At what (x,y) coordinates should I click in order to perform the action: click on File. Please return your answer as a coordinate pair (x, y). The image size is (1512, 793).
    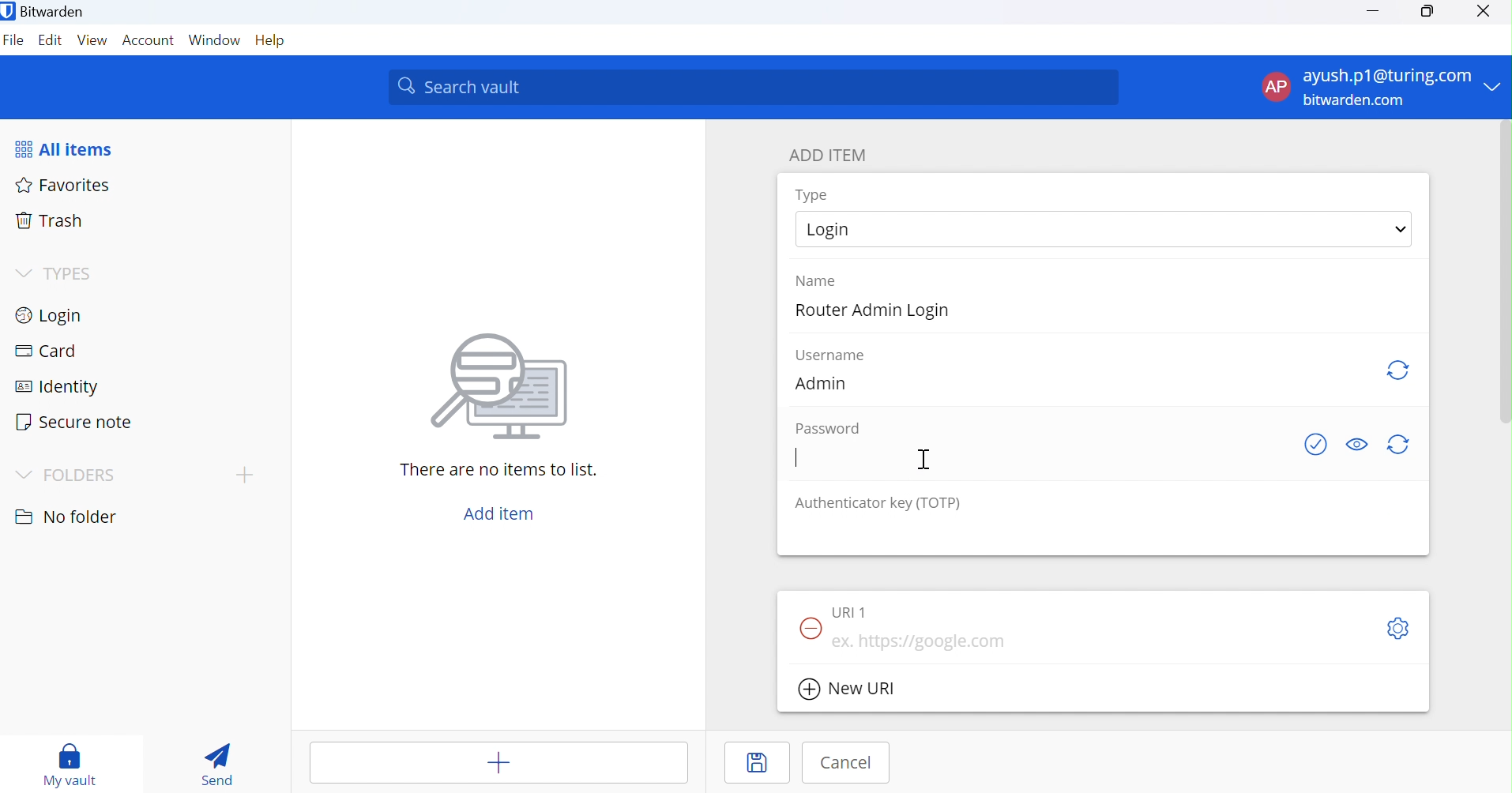
    Looking at the image, I should click on (14, 43).